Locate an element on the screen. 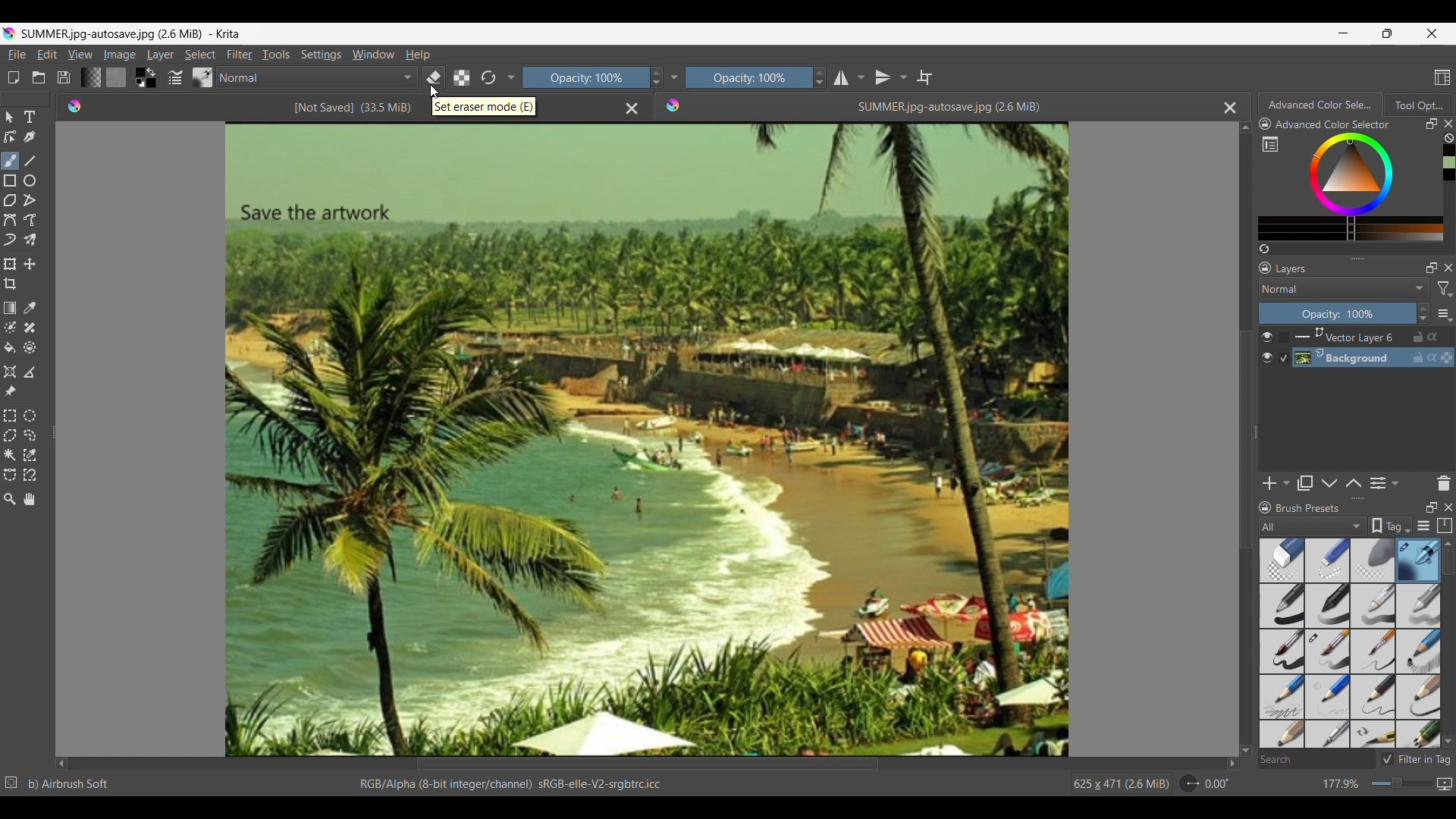 The width and height of the screenshot is (1456, 819). Line tool is located at coordinates (30, 162).